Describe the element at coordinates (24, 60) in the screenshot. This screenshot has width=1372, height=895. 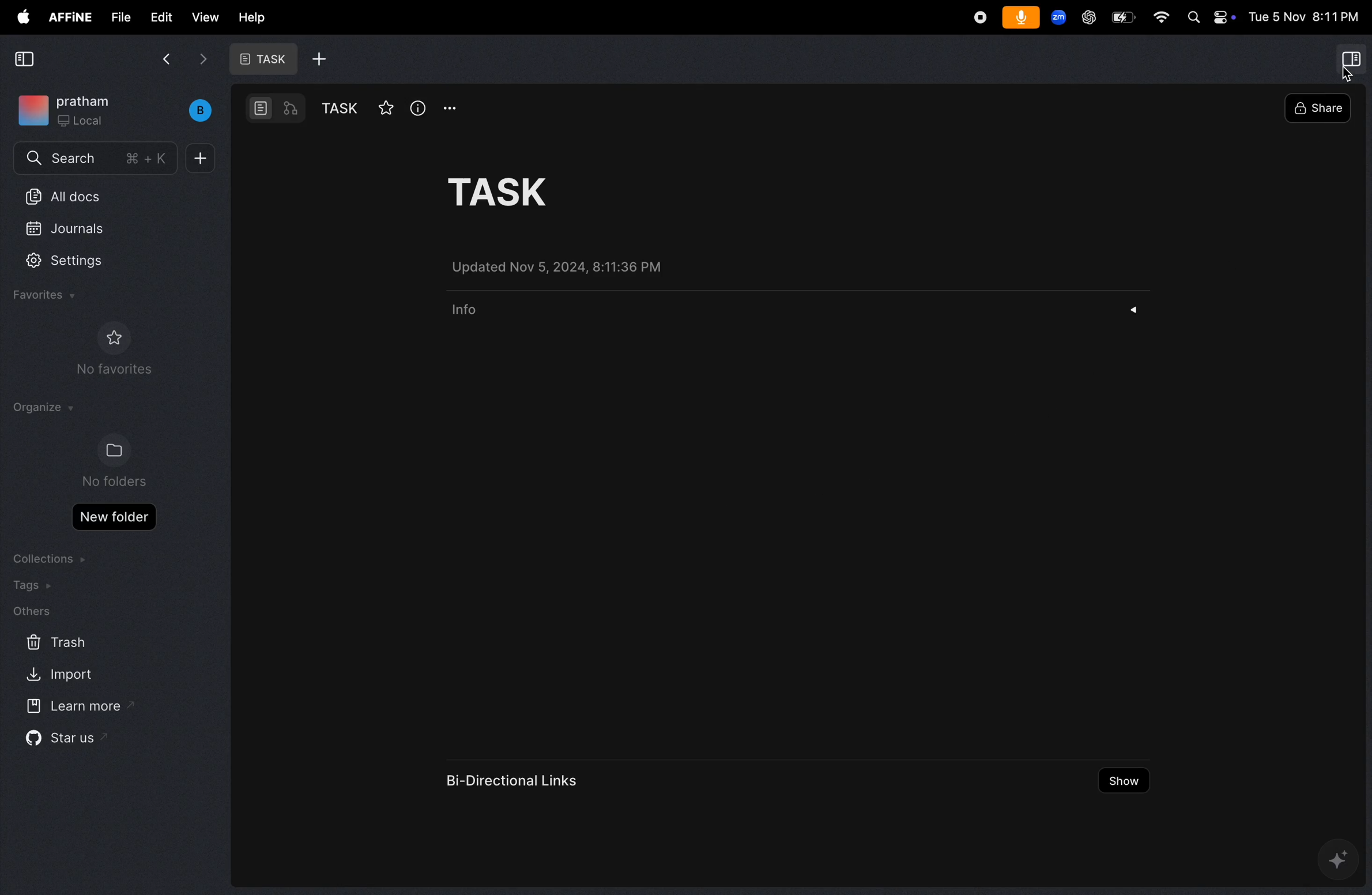
I see `collapse side bar` at that location.